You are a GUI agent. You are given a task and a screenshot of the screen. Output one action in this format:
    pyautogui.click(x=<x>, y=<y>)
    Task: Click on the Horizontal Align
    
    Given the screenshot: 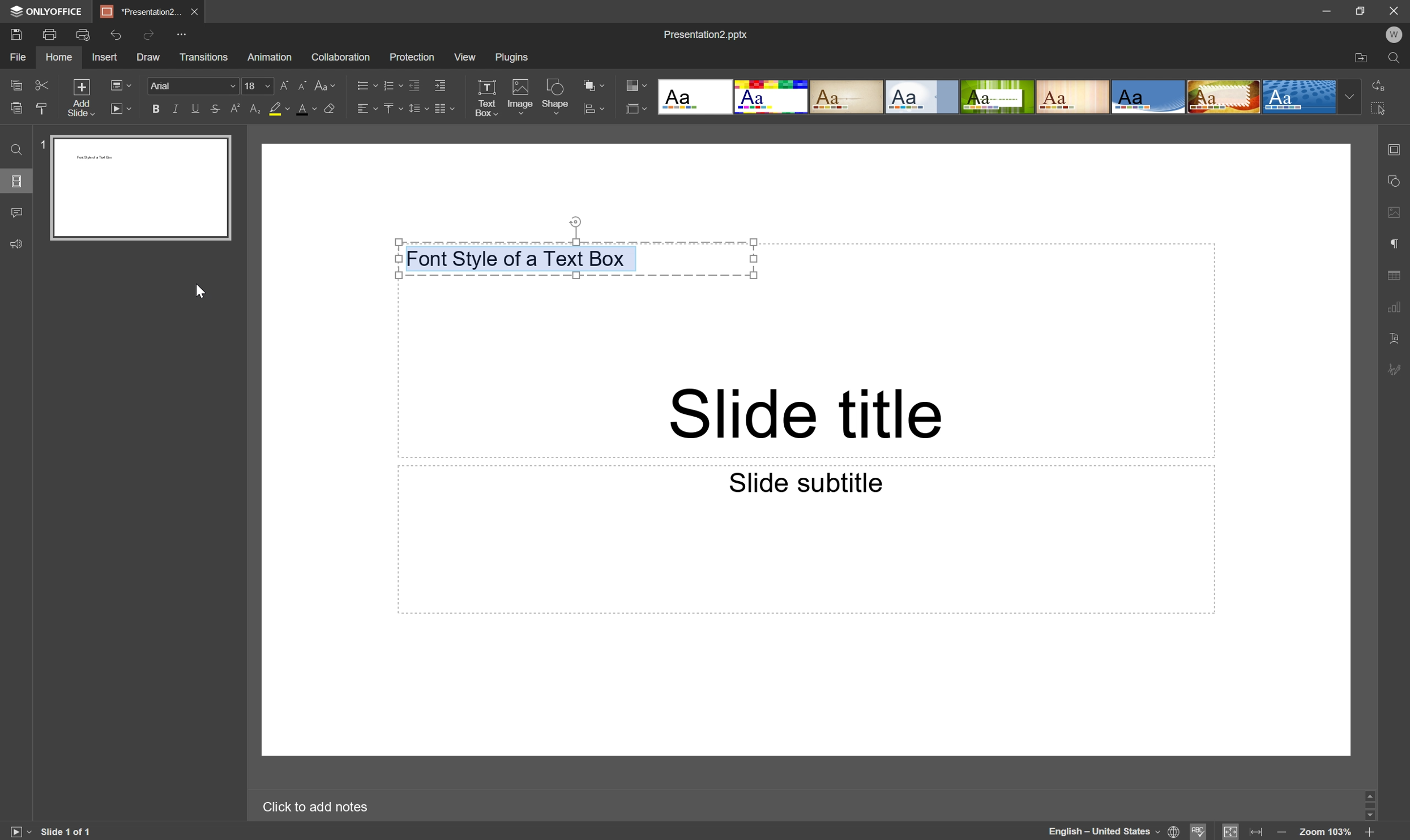 What is the action you would take?
    pyautogui.click(x=368, y=108)
    